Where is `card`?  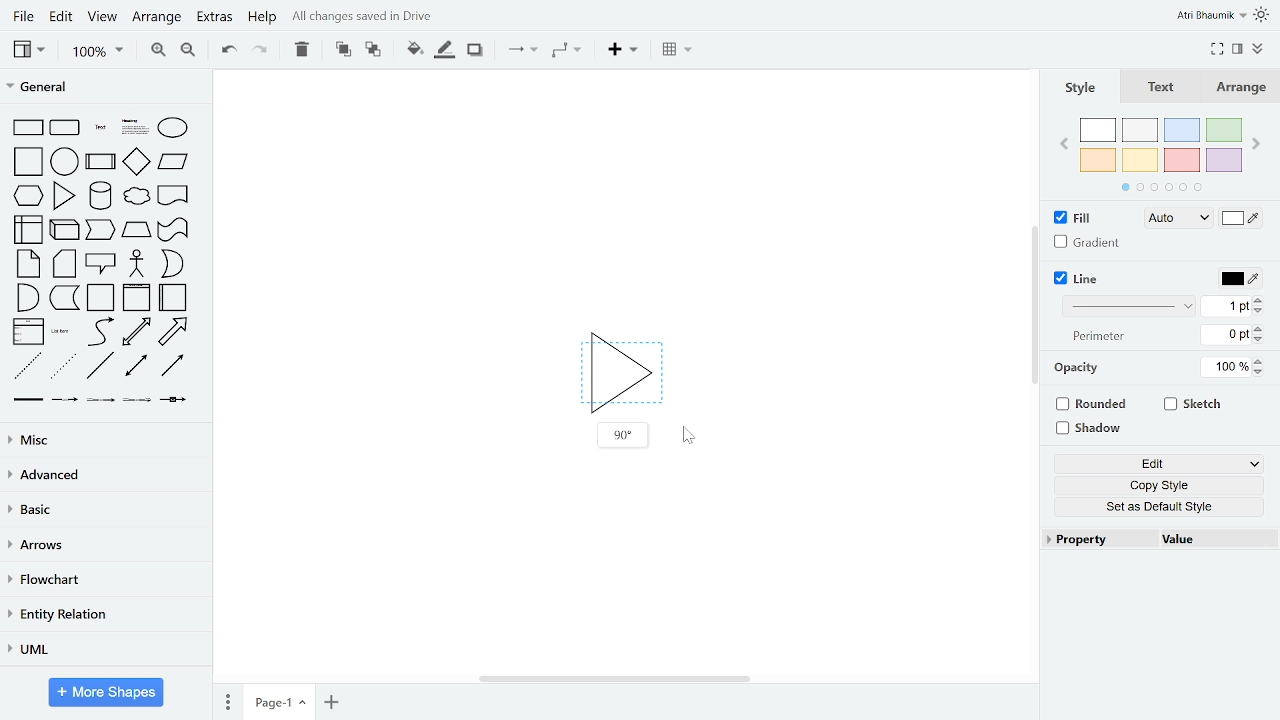 card is located at coordinates (64, 264).